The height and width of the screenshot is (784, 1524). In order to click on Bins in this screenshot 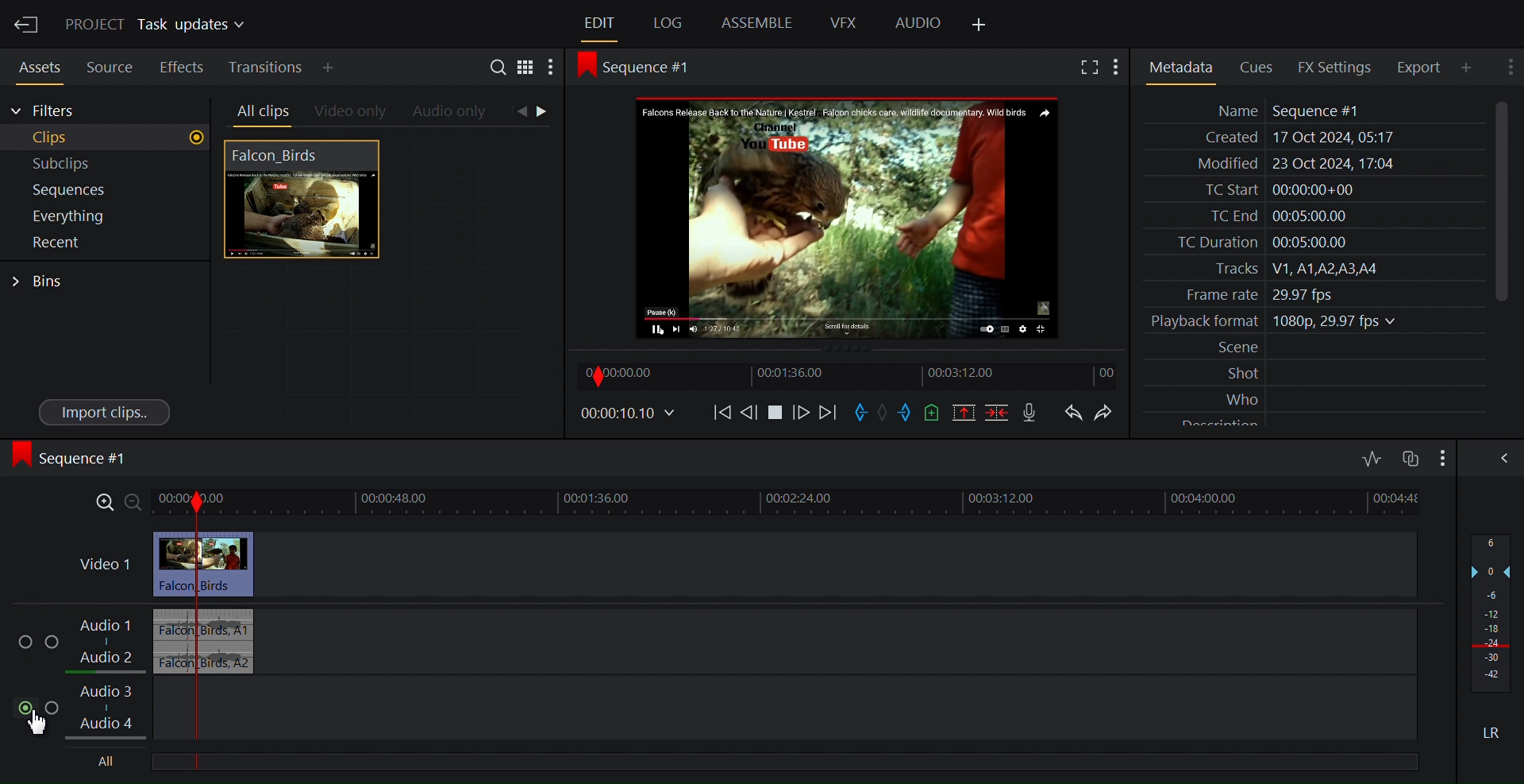, I will do `click(39, 282)`.